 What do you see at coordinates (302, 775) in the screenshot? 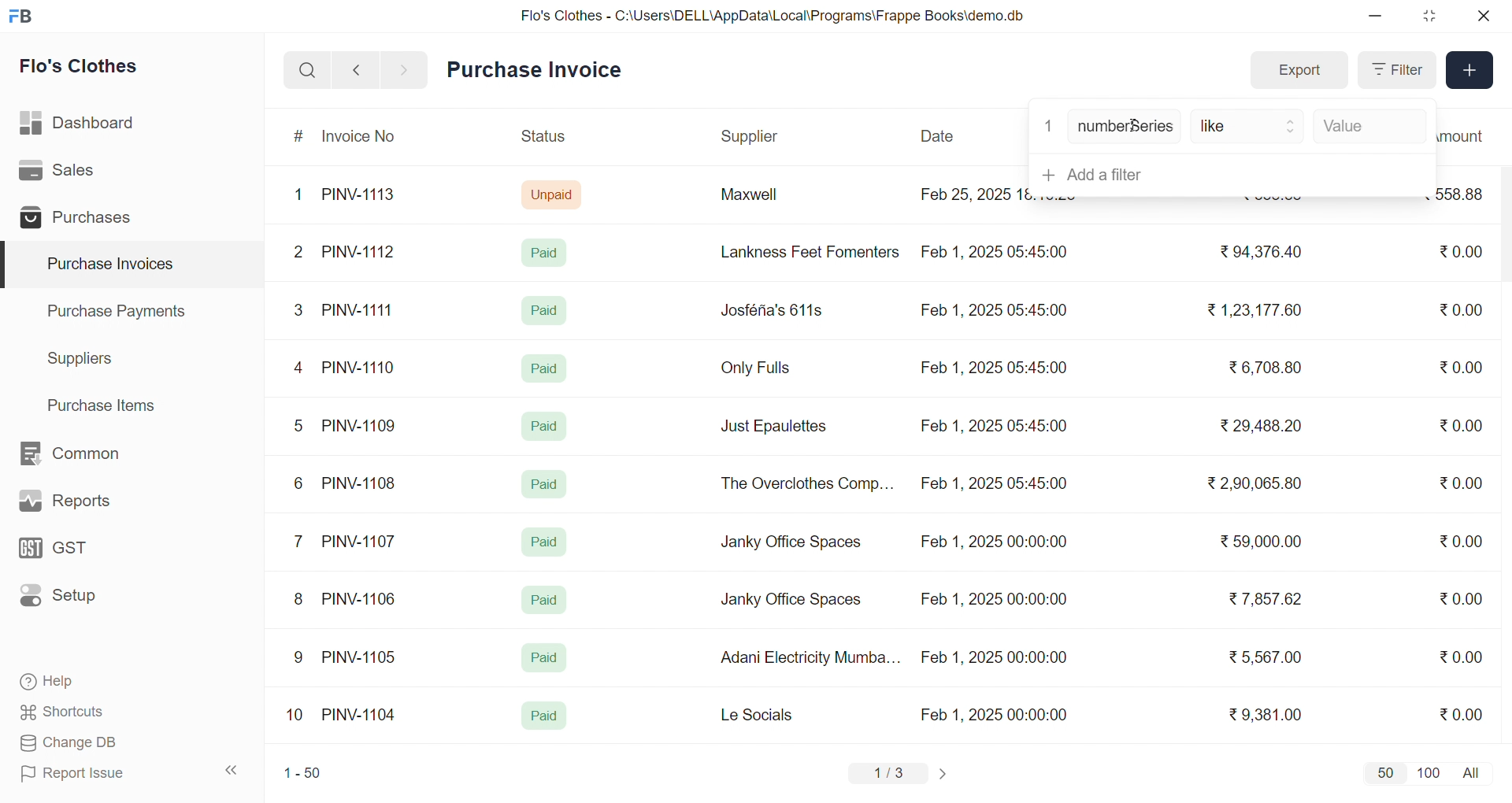
I see `1-50` at bounding box center [302, 775].